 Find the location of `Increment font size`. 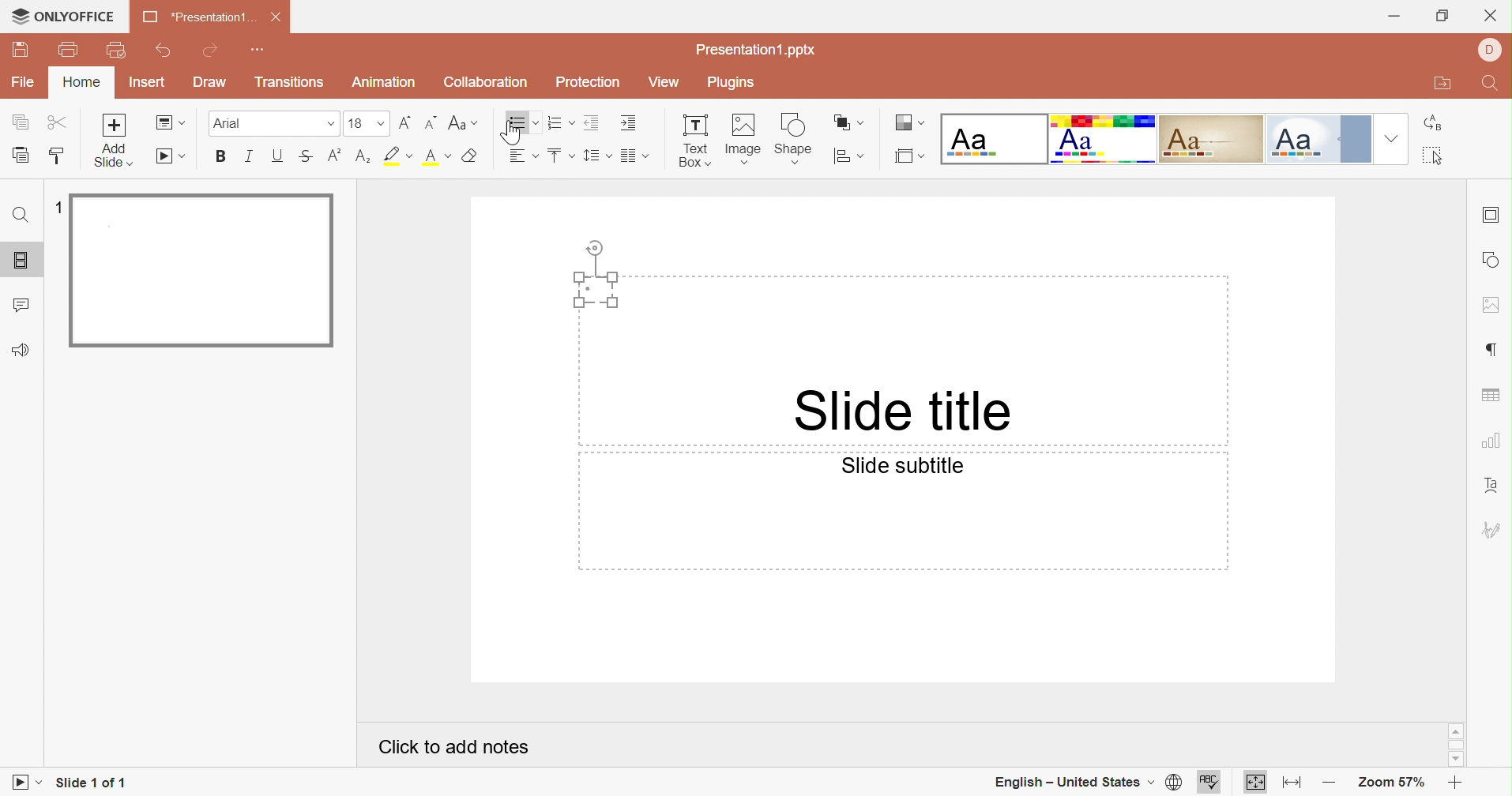

Increment font size is located at coordinates (405, 122).